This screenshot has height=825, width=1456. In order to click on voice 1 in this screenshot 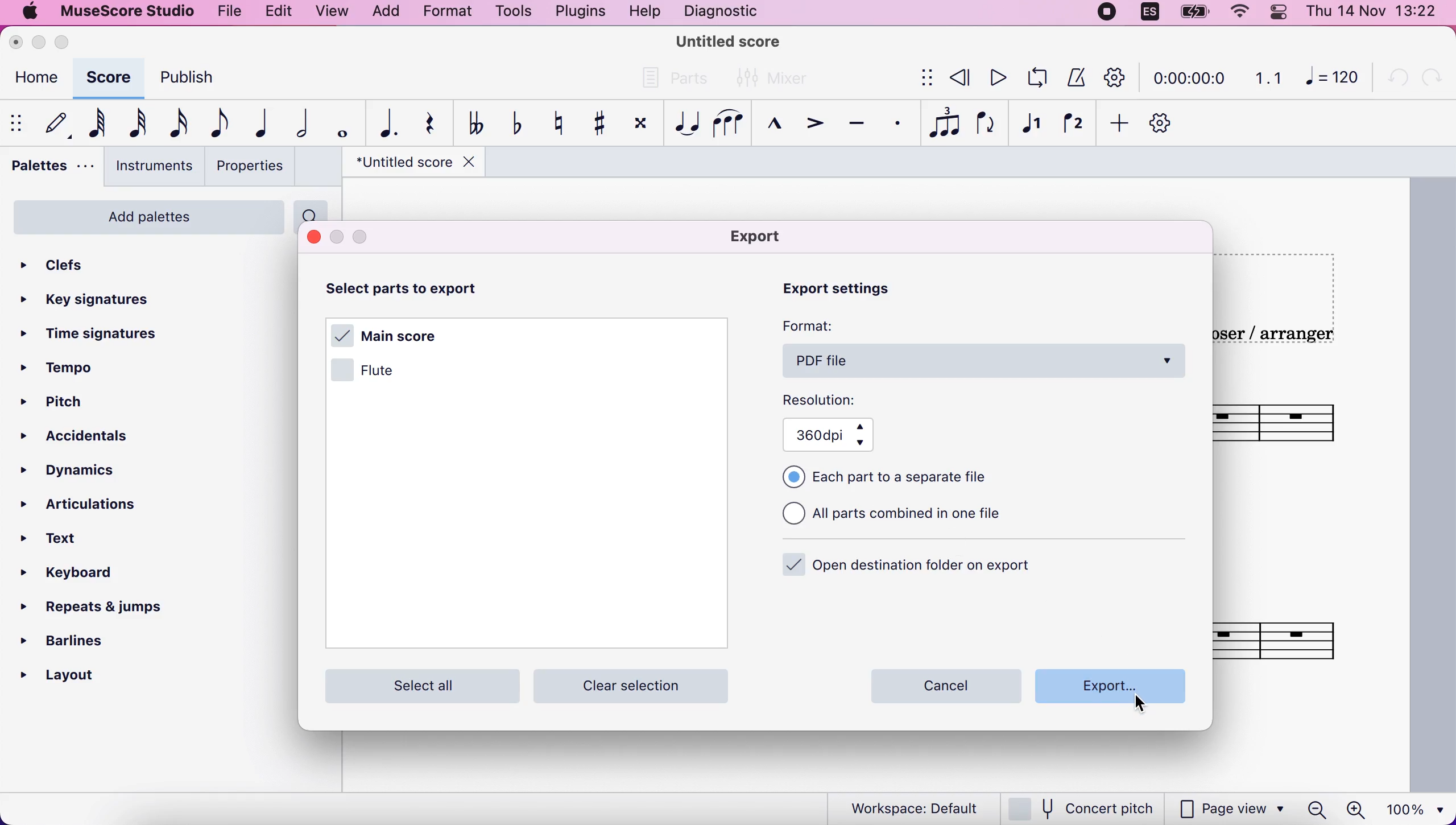, I will do `click(1031, 122)`.